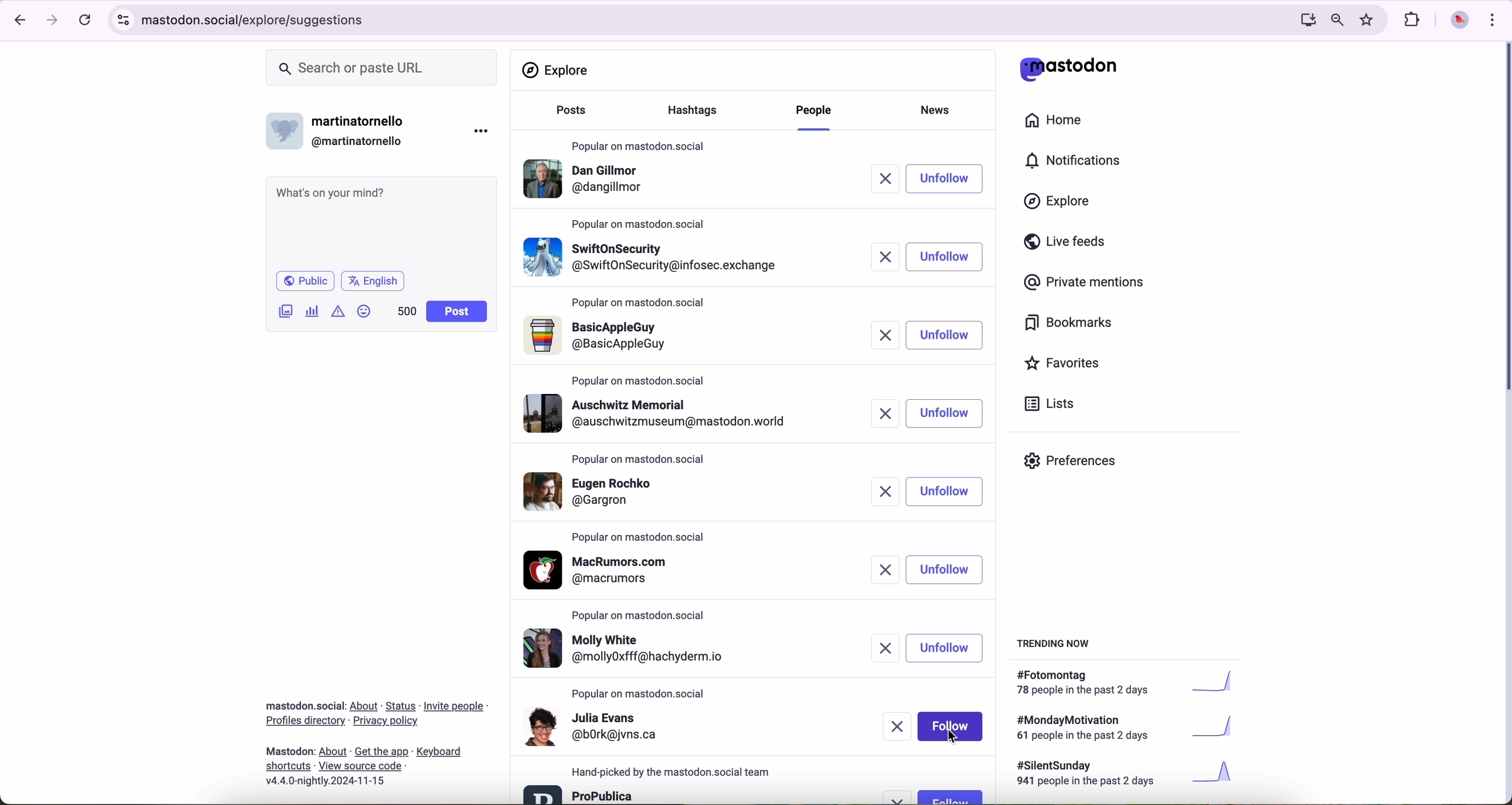 The image size is (1512, 805). I want to click on scroll bar, so click(1503, 220).